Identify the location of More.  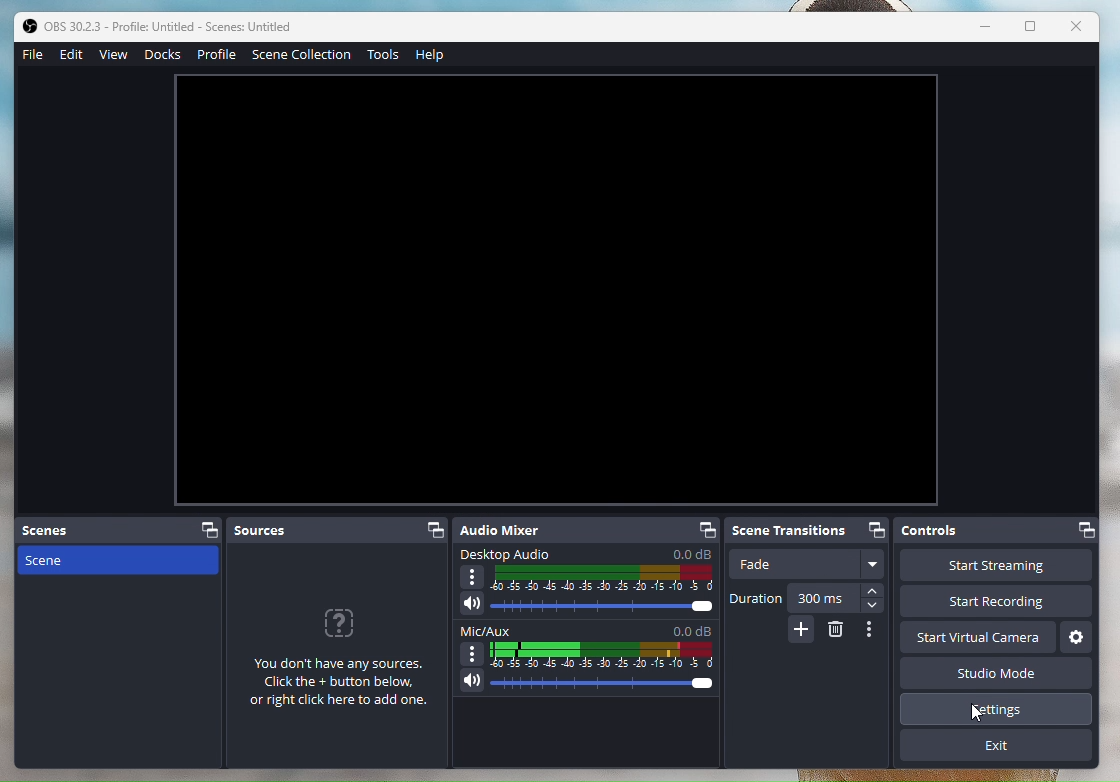
(801, 633).